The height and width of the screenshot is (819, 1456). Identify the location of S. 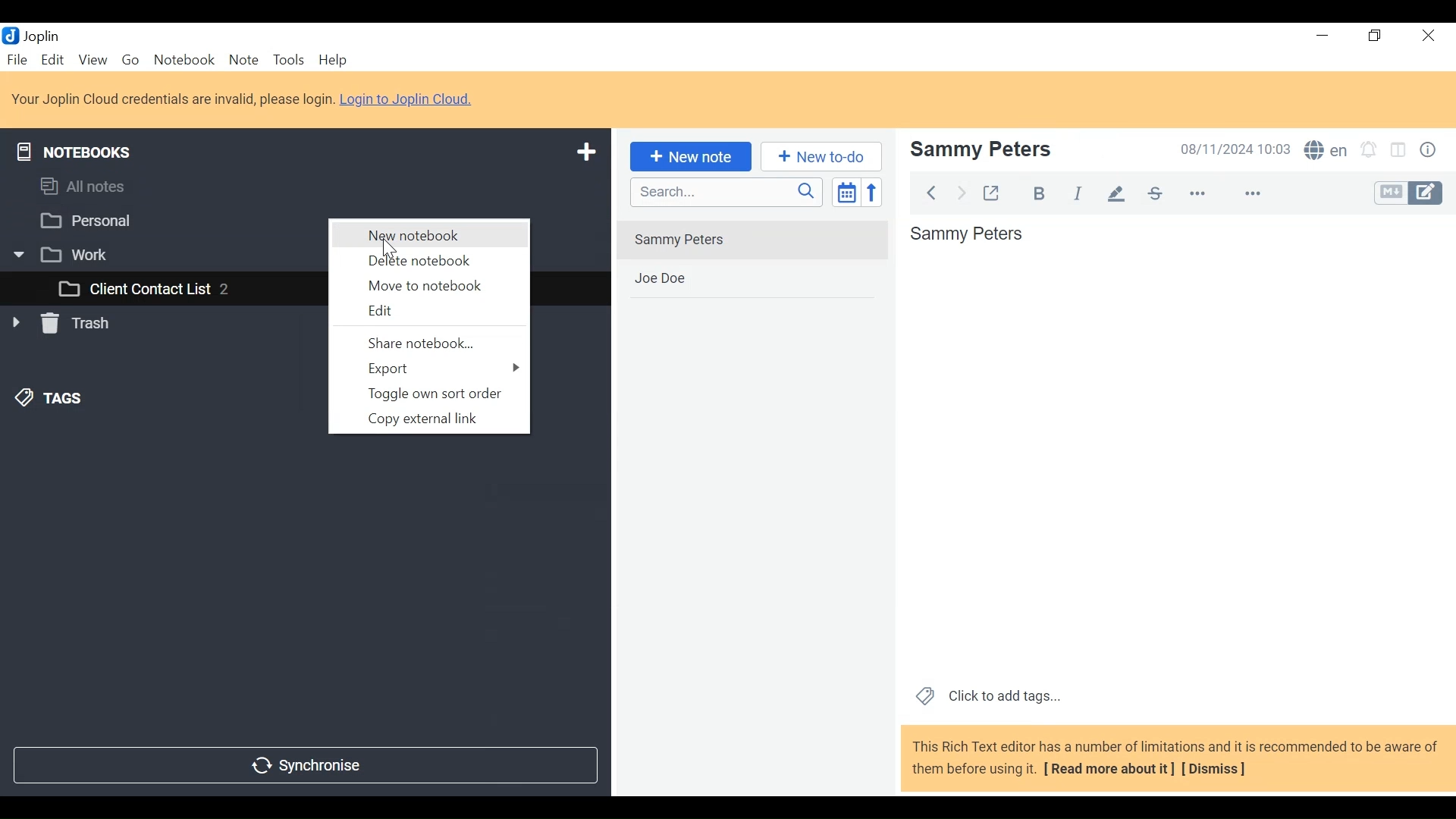
(1326, 151).